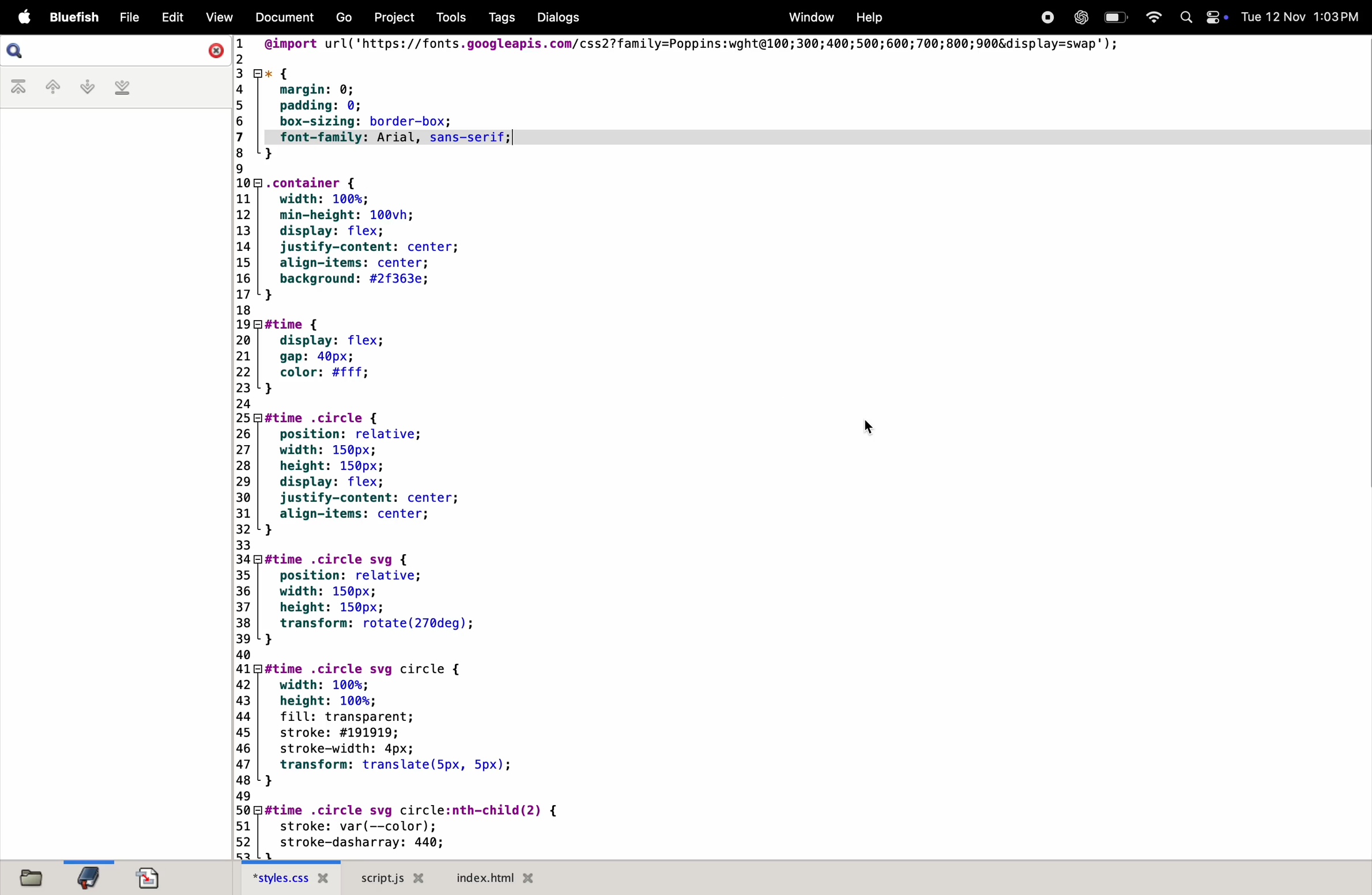 This screenshot has width=1372, height=895. I want to click on Previous bookmark, so click(50, 88).